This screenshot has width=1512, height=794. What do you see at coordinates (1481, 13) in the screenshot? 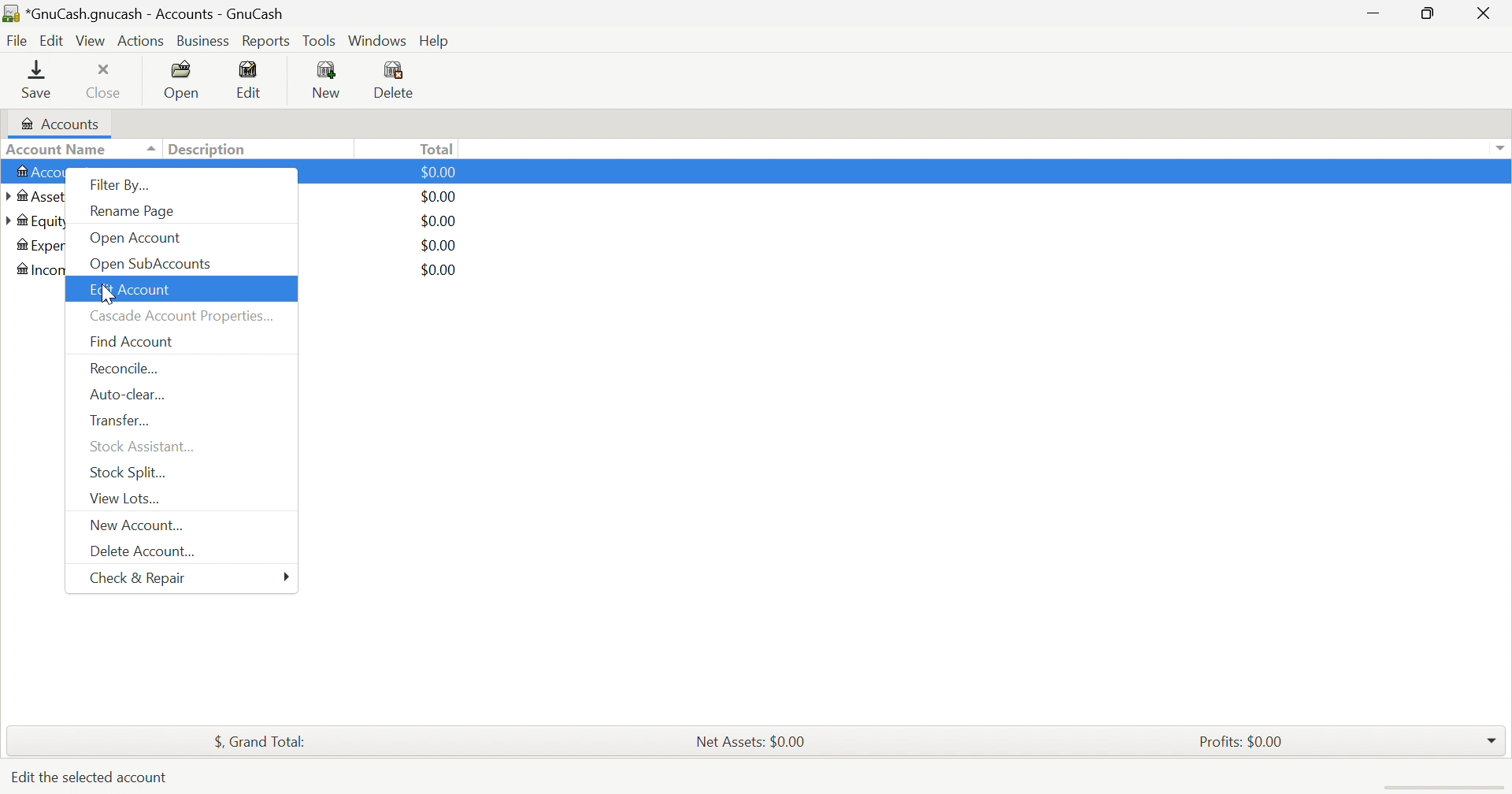
I see `Close` at bounding box center [1481, 13].